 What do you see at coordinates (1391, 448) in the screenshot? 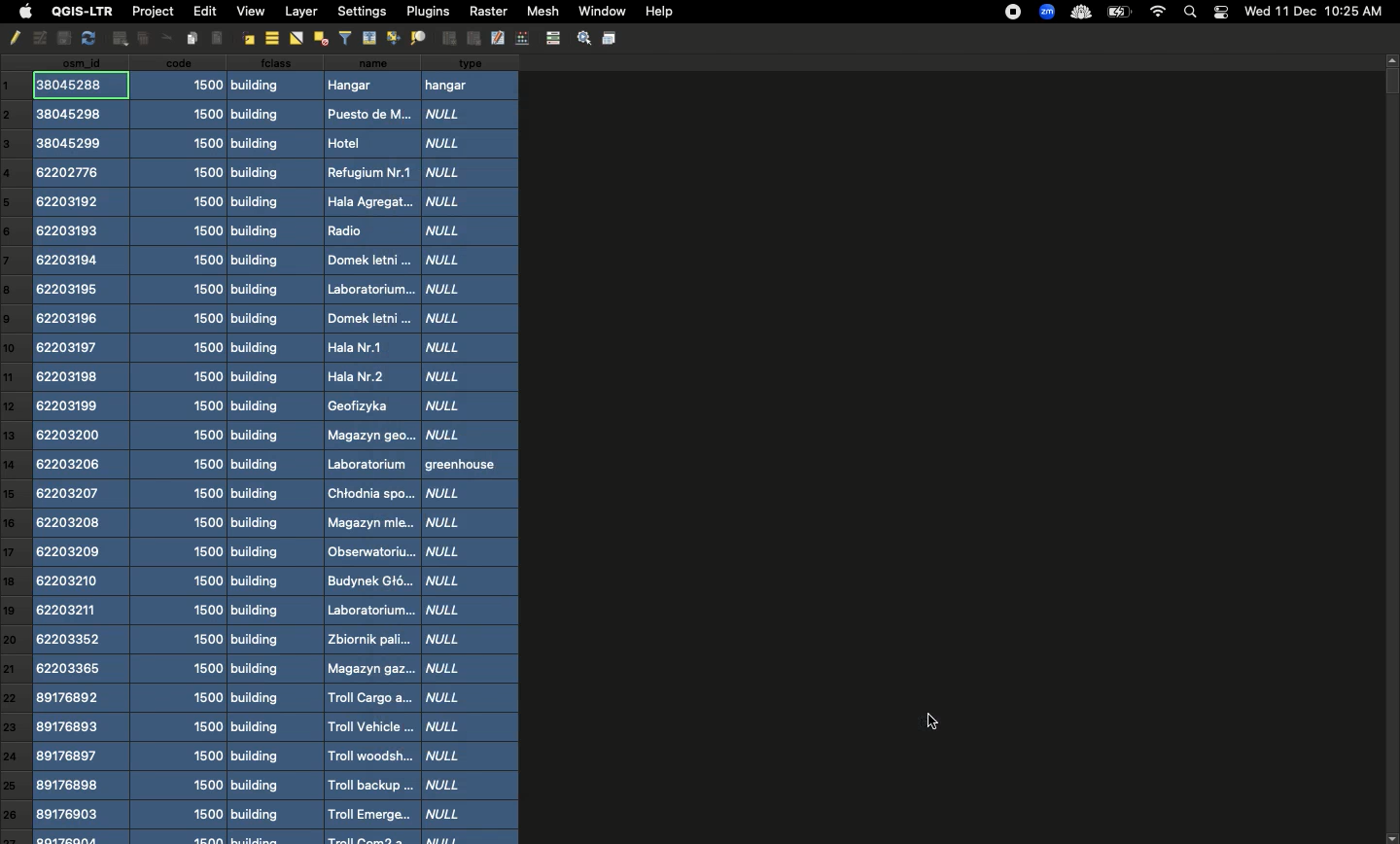
I see `Scroll` at bounding box center [1391, 448].